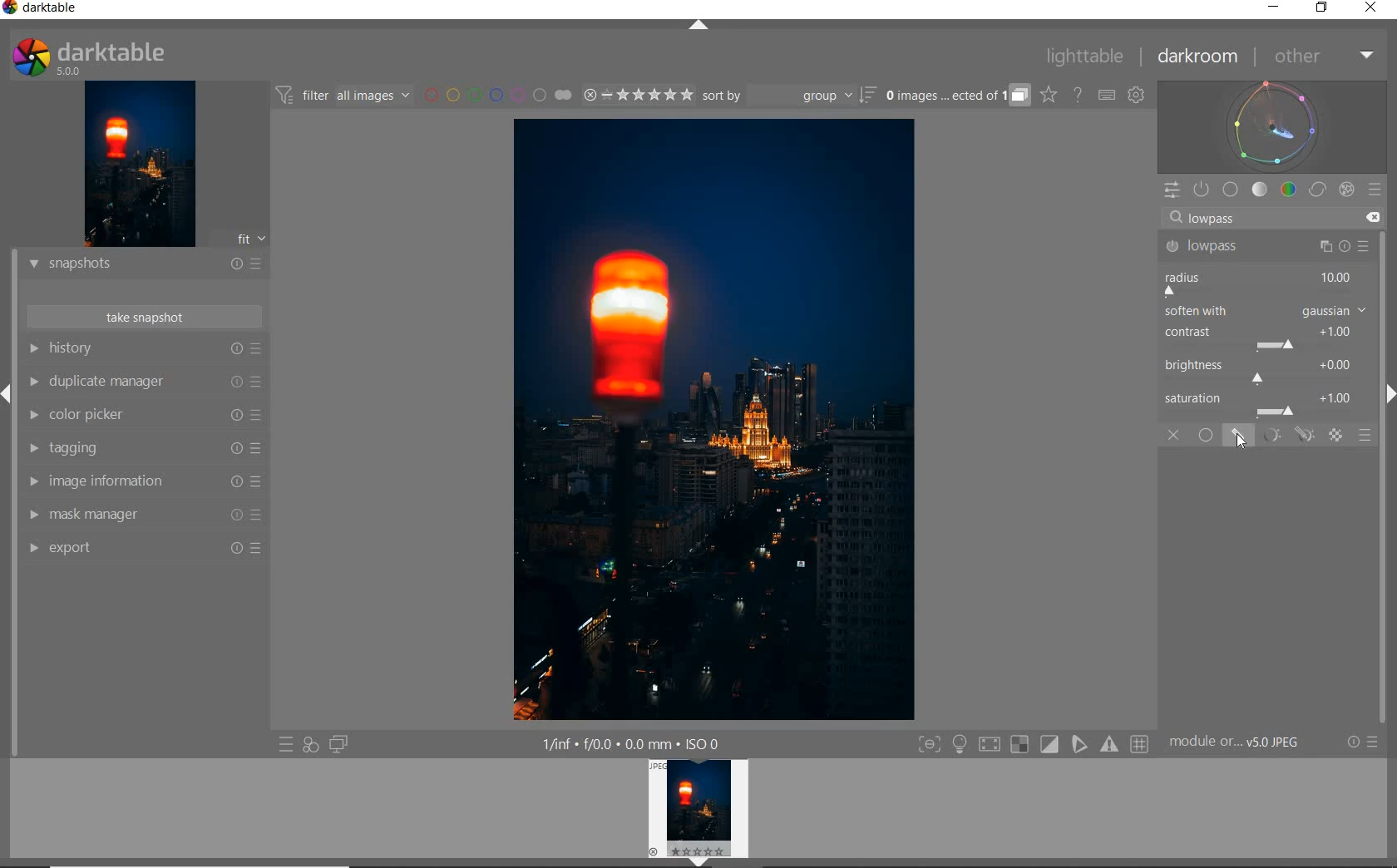 The width and height of the screenshot is (1397, 868). Describe the element at coordinates (635, 96) in the screenshot. I see `RANGE RATING OF SELECTED IMAGES` at that location.